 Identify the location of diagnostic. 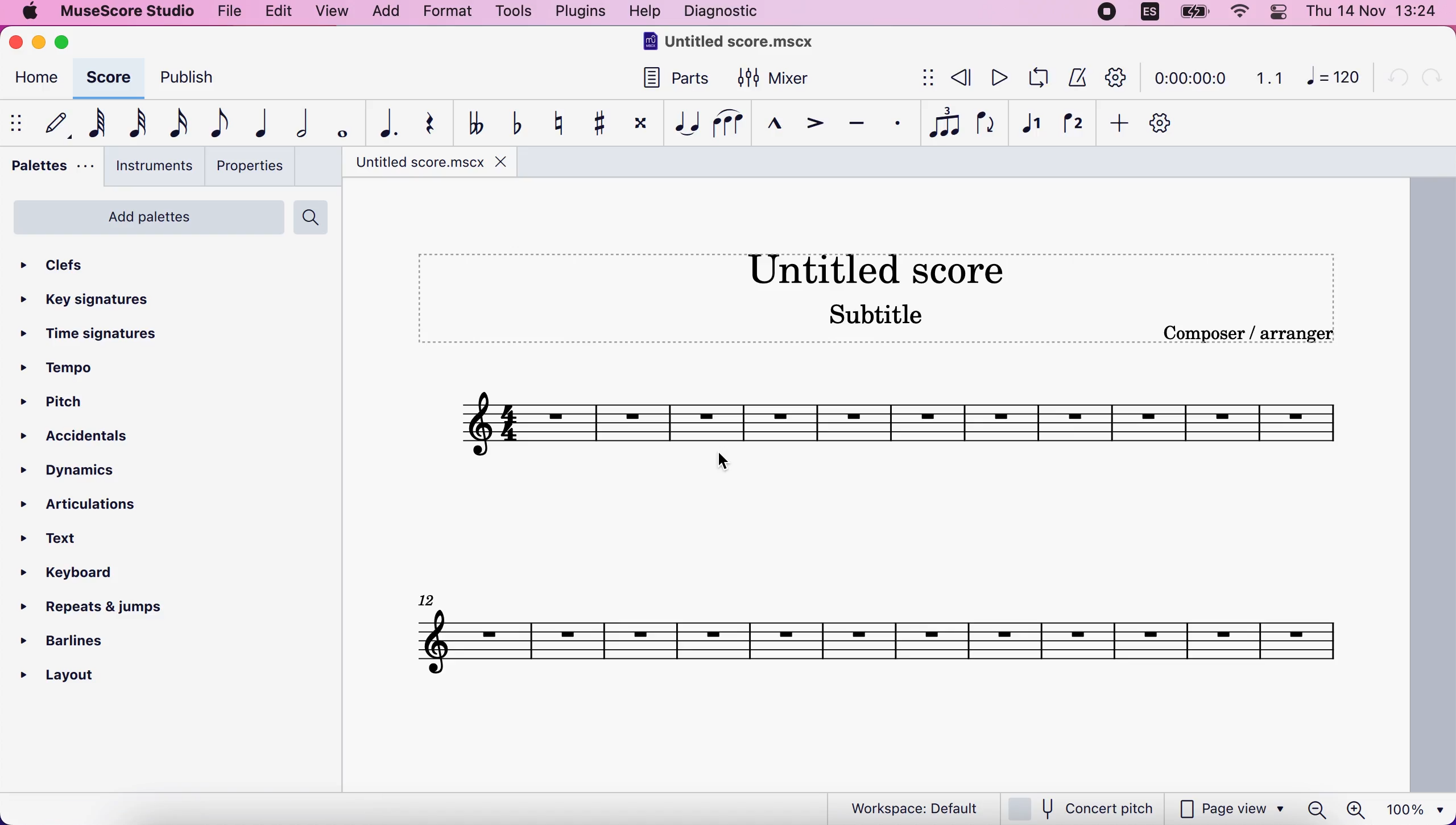
(729, 11).